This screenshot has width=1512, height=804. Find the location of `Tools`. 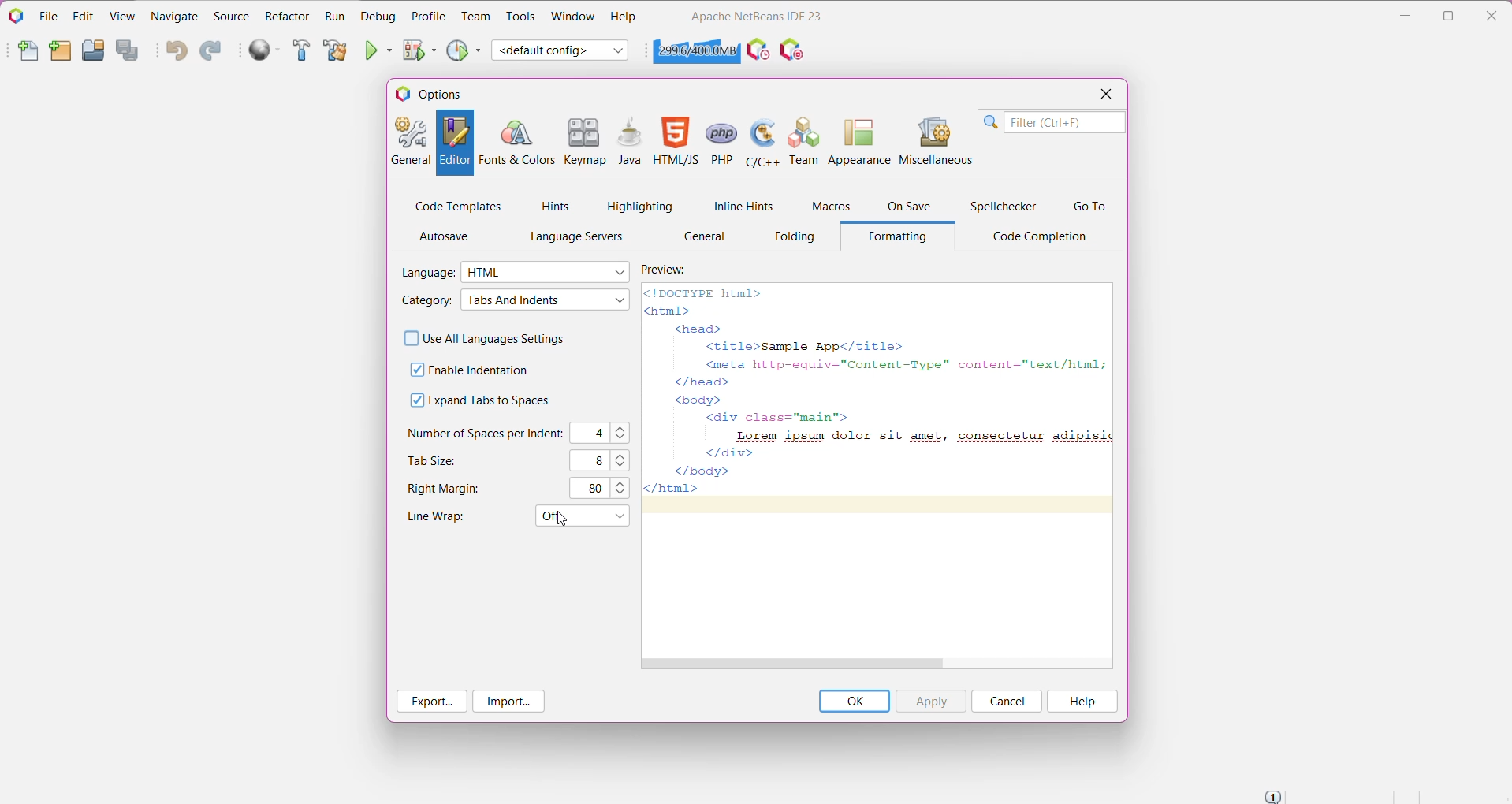

Tools is located at coordinates (521, 17).